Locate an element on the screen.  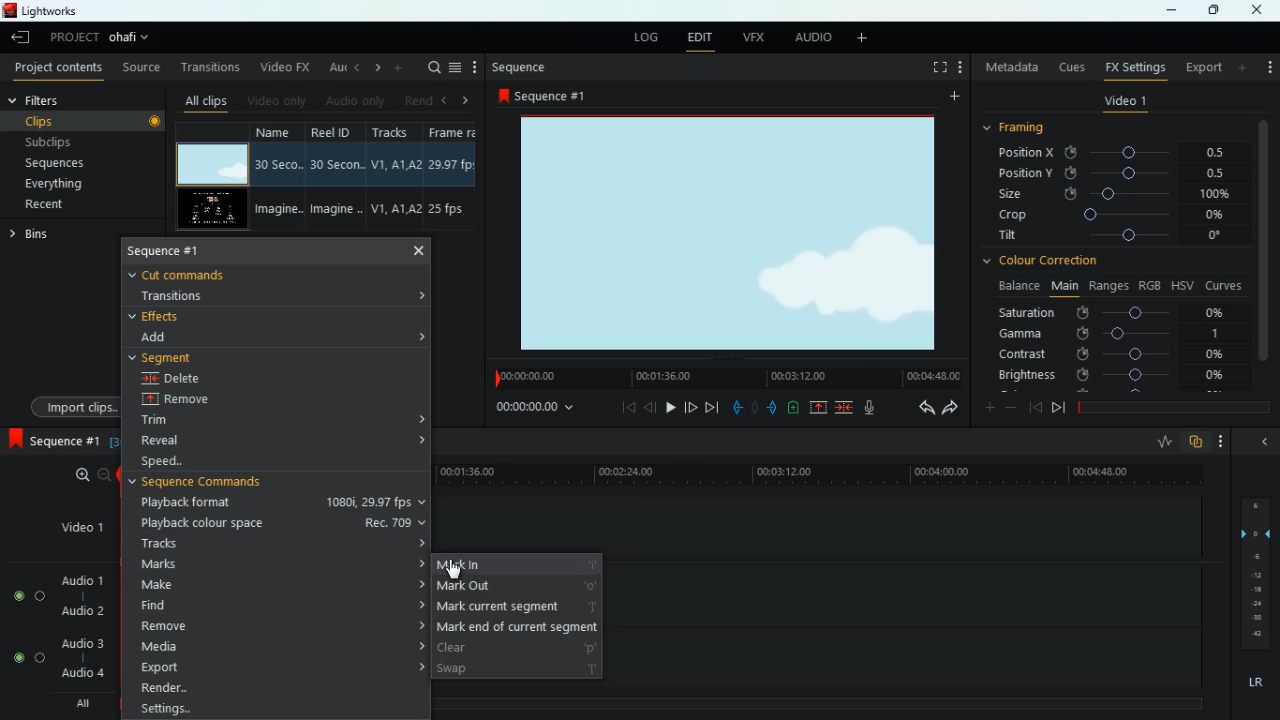
sequence is located at coordinates (171, 251).